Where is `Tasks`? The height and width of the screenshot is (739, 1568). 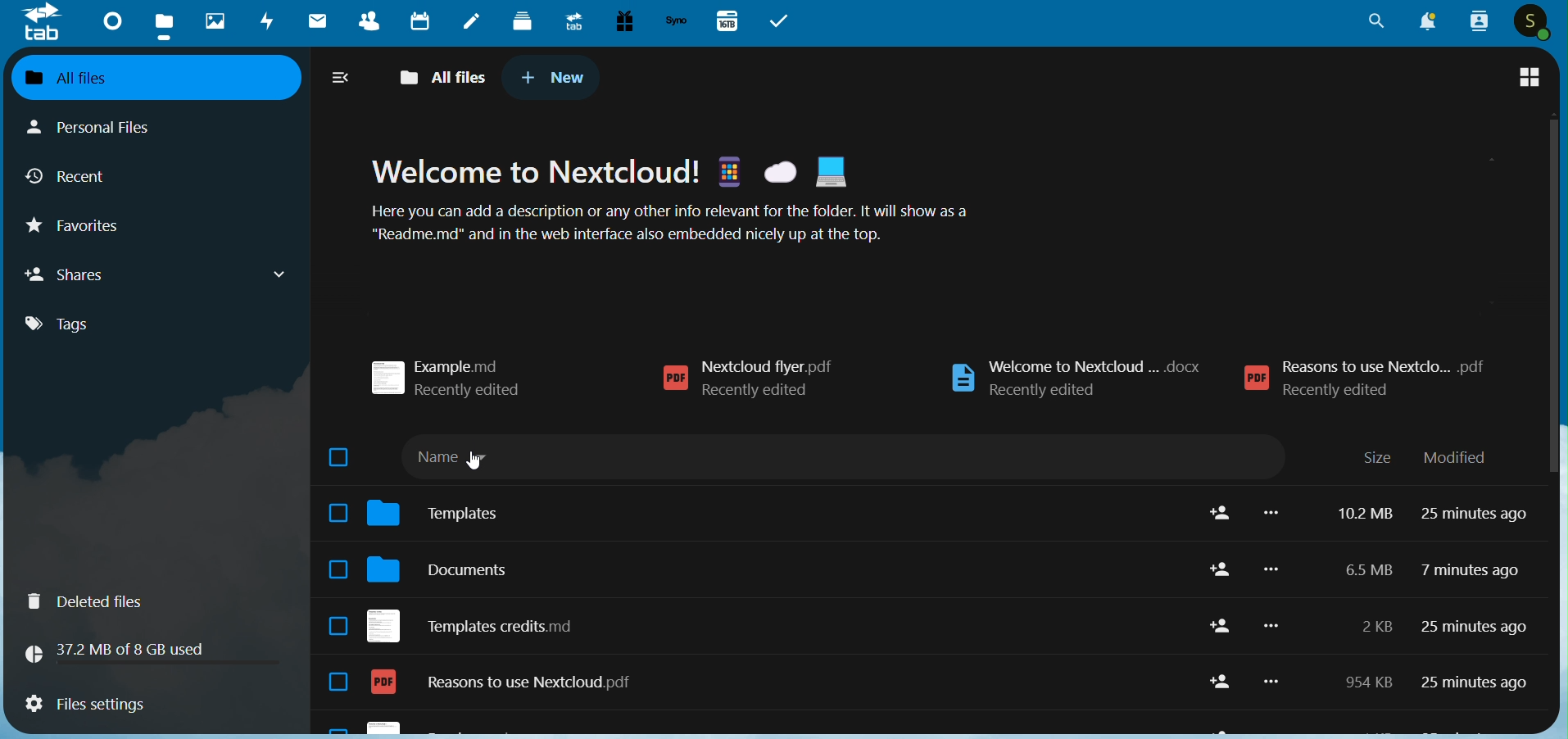
Tasks is located at coordinates (783, 23).